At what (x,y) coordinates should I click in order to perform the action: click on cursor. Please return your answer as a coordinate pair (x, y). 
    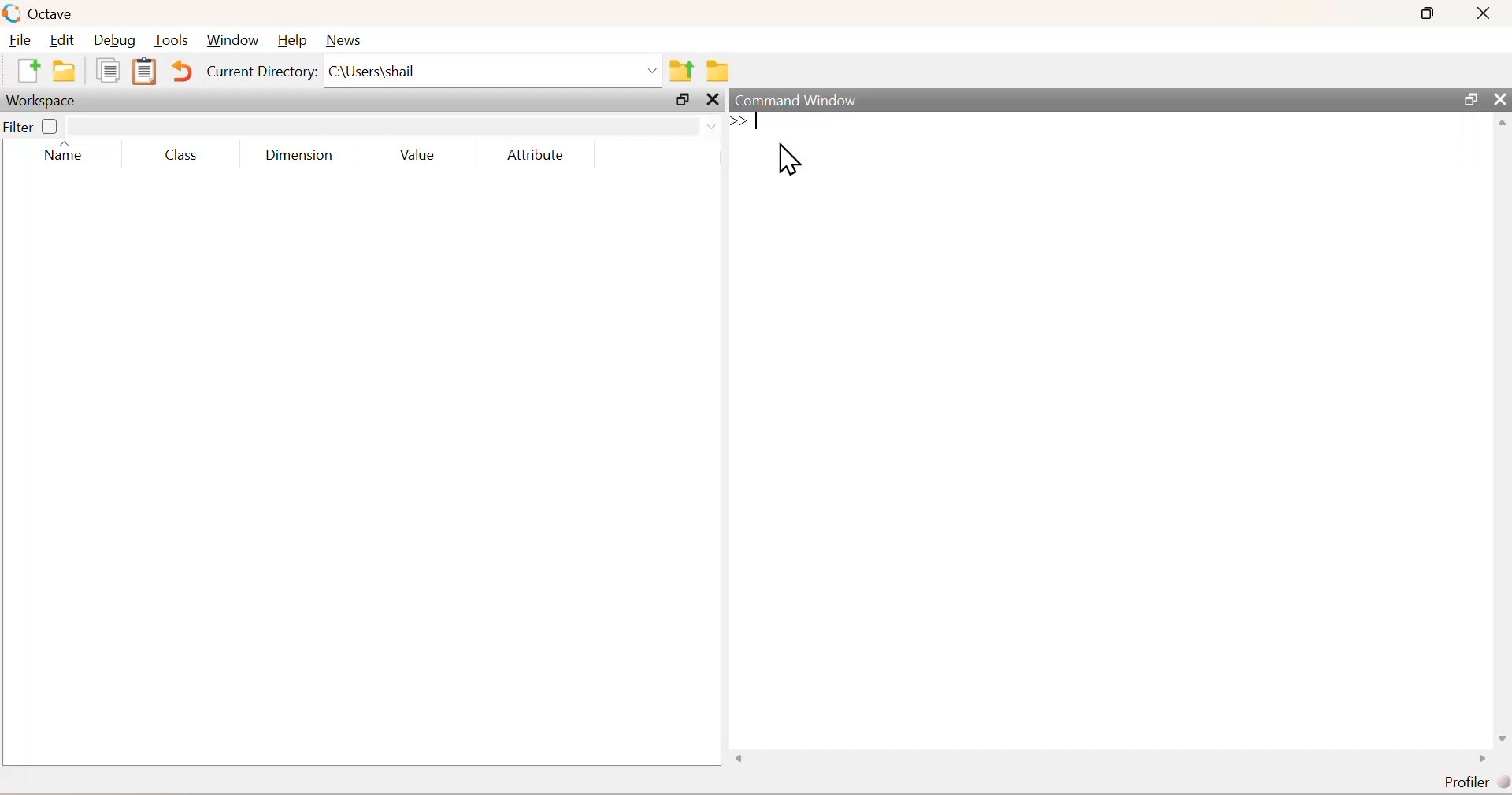
    Looking at the image, I should click on (791, 162).